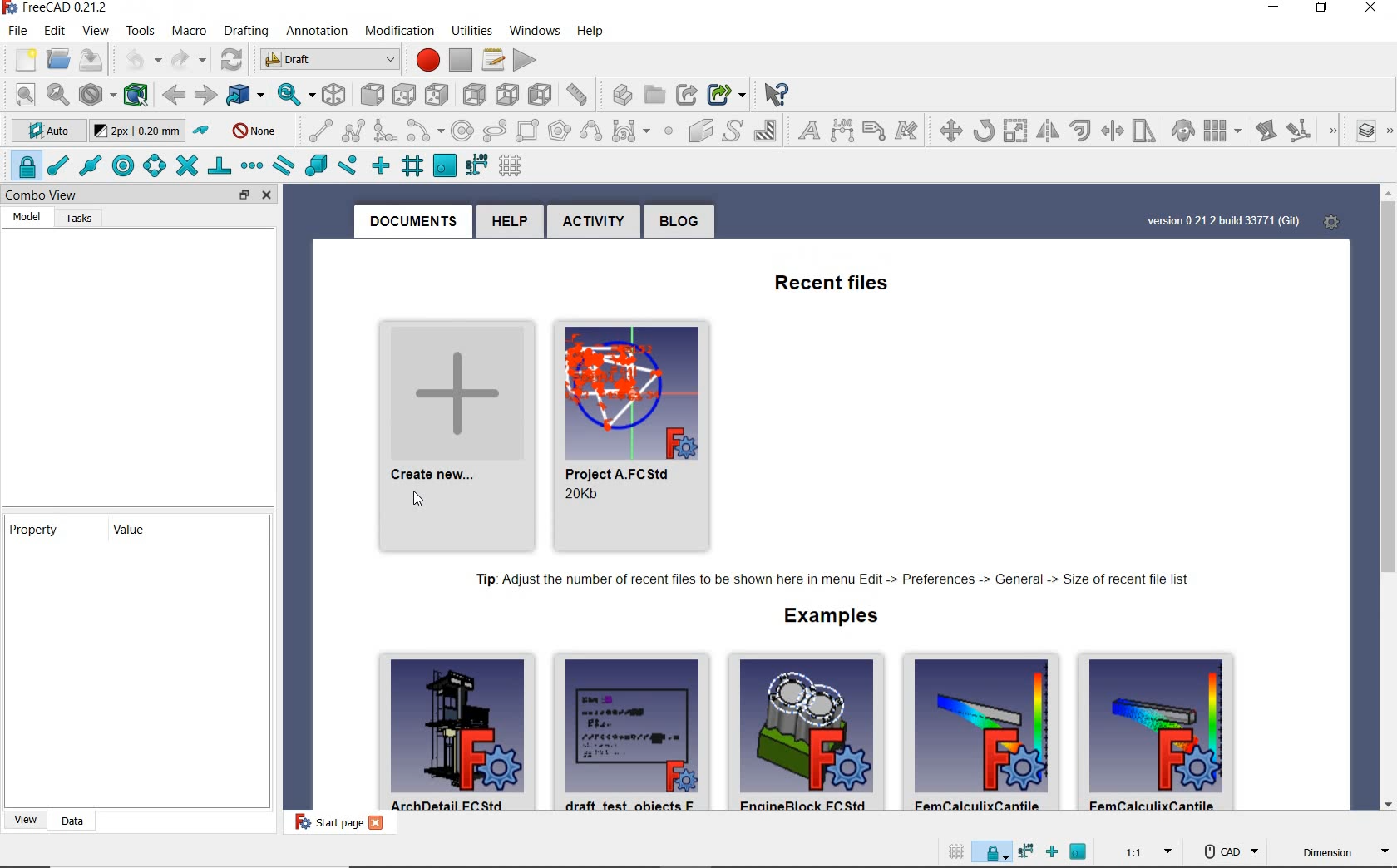  Describe the element at coordinates (472, 28) in the screenshot. I see `Utilities` at that location.